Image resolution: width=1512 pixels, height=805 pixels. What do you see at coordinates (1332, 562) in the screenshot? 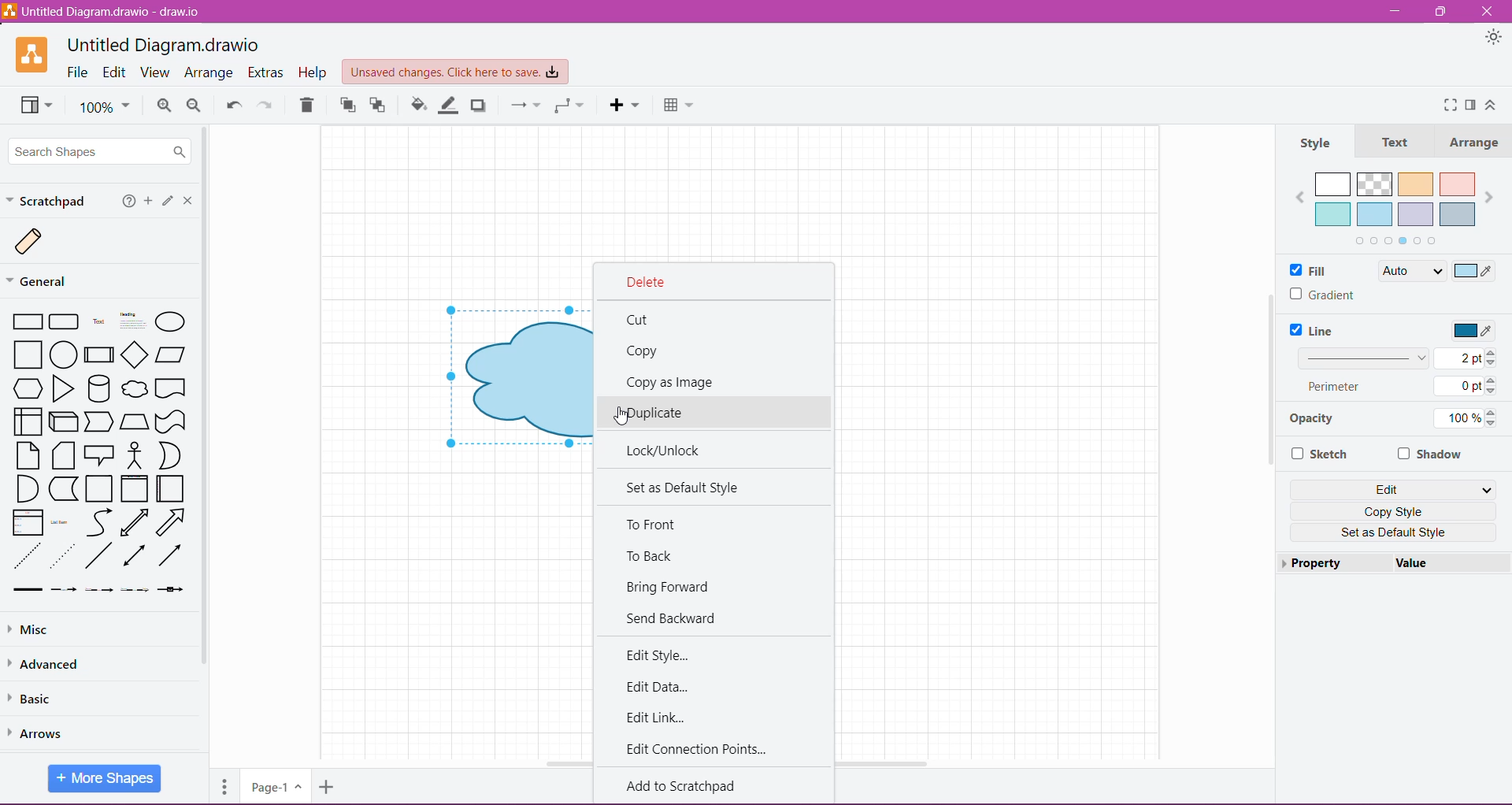
I see `Property` at bounding box center [1332, 562].